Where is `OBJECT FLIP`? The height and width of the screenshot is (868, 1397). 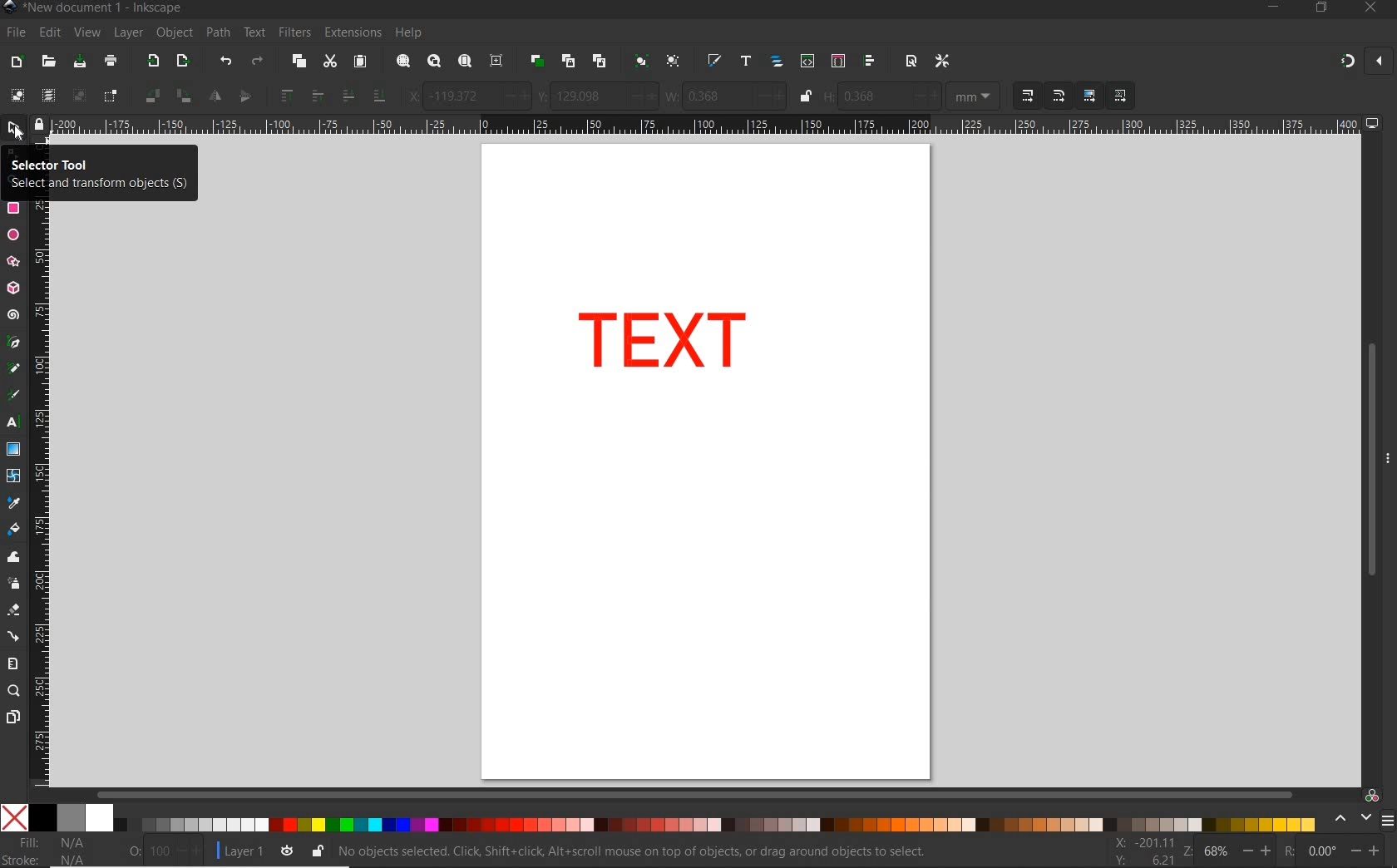
OBJECT FLIP is located at coordinates (230, 94).